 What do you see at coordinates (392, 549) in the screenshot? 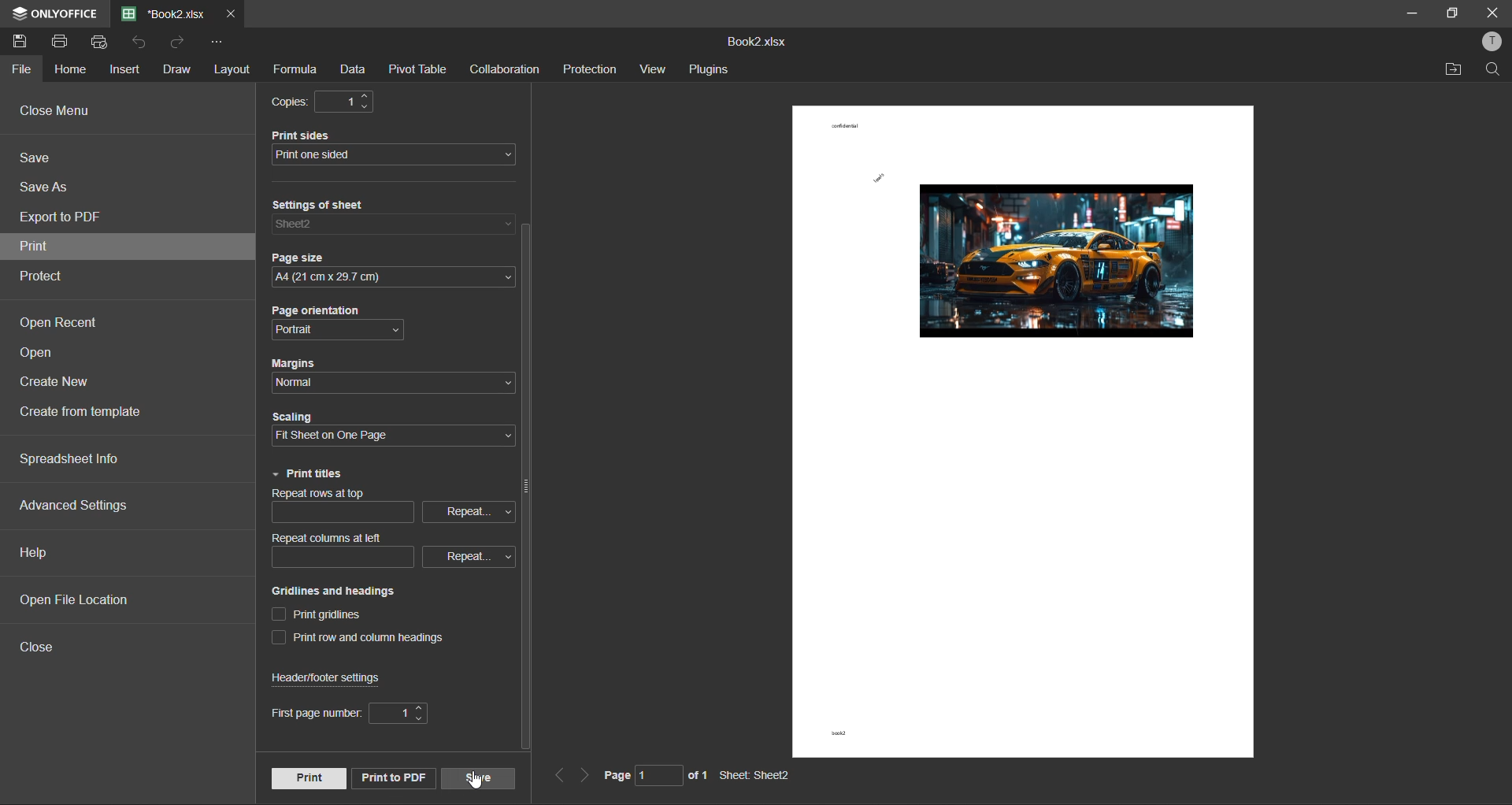
I see `repeat columns at left` at bounding box center [392, 549].